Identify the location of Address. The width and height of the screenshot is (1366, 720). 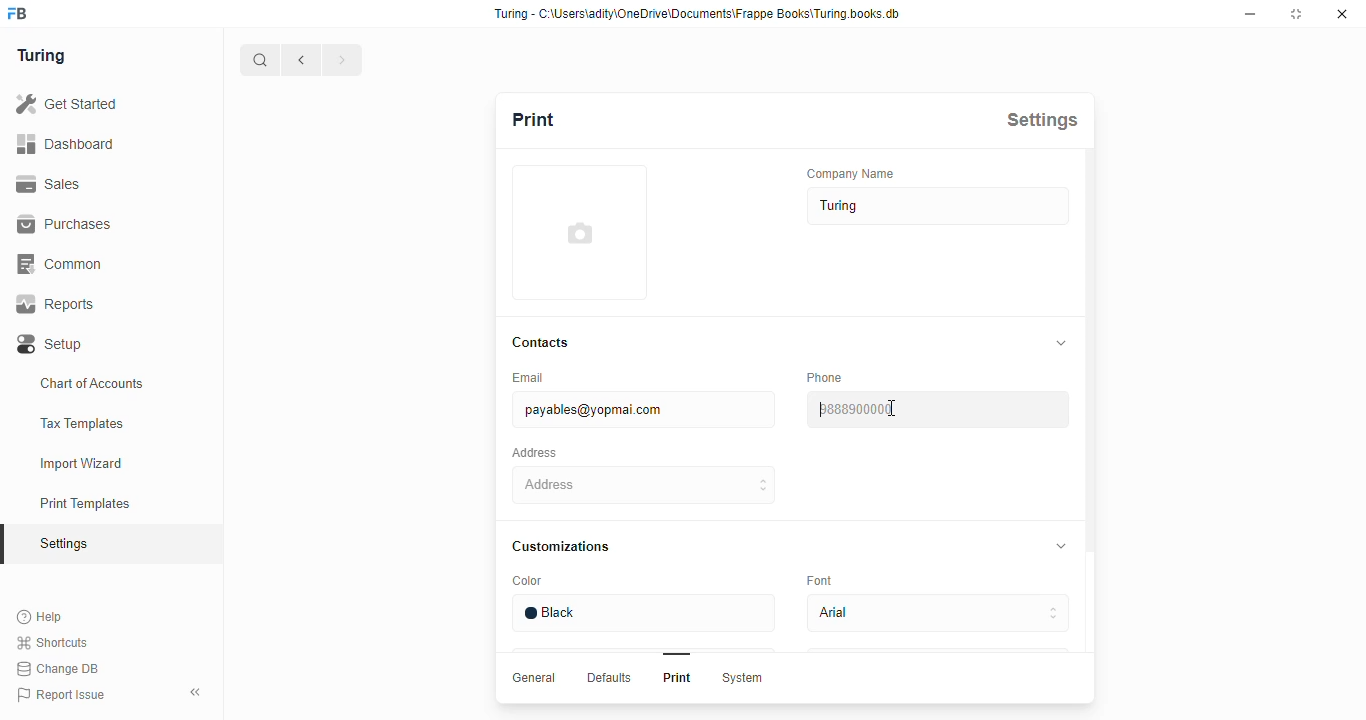
(538, 452).